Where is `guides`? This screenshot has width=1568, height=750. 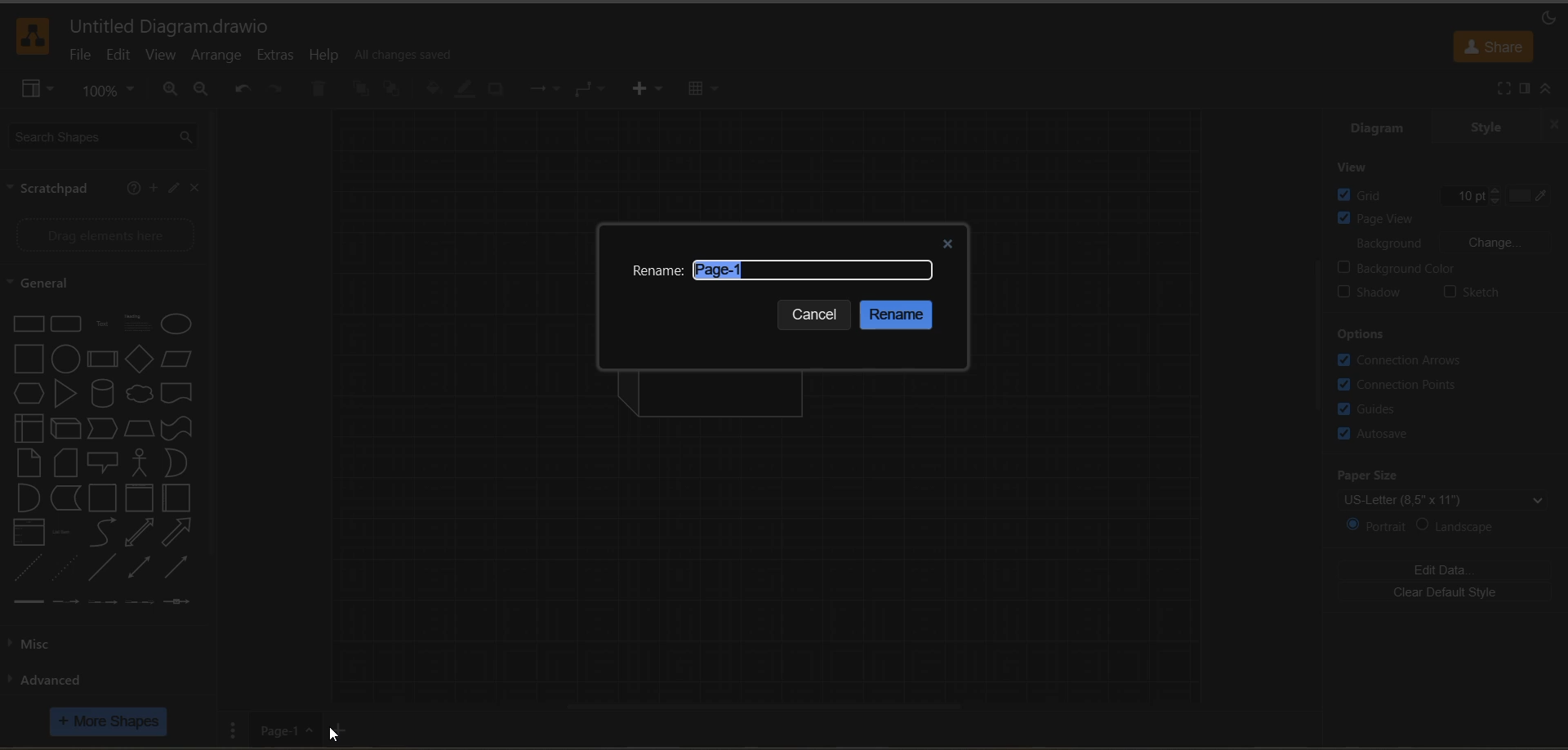 guides is located at coordinates (1374, 408).